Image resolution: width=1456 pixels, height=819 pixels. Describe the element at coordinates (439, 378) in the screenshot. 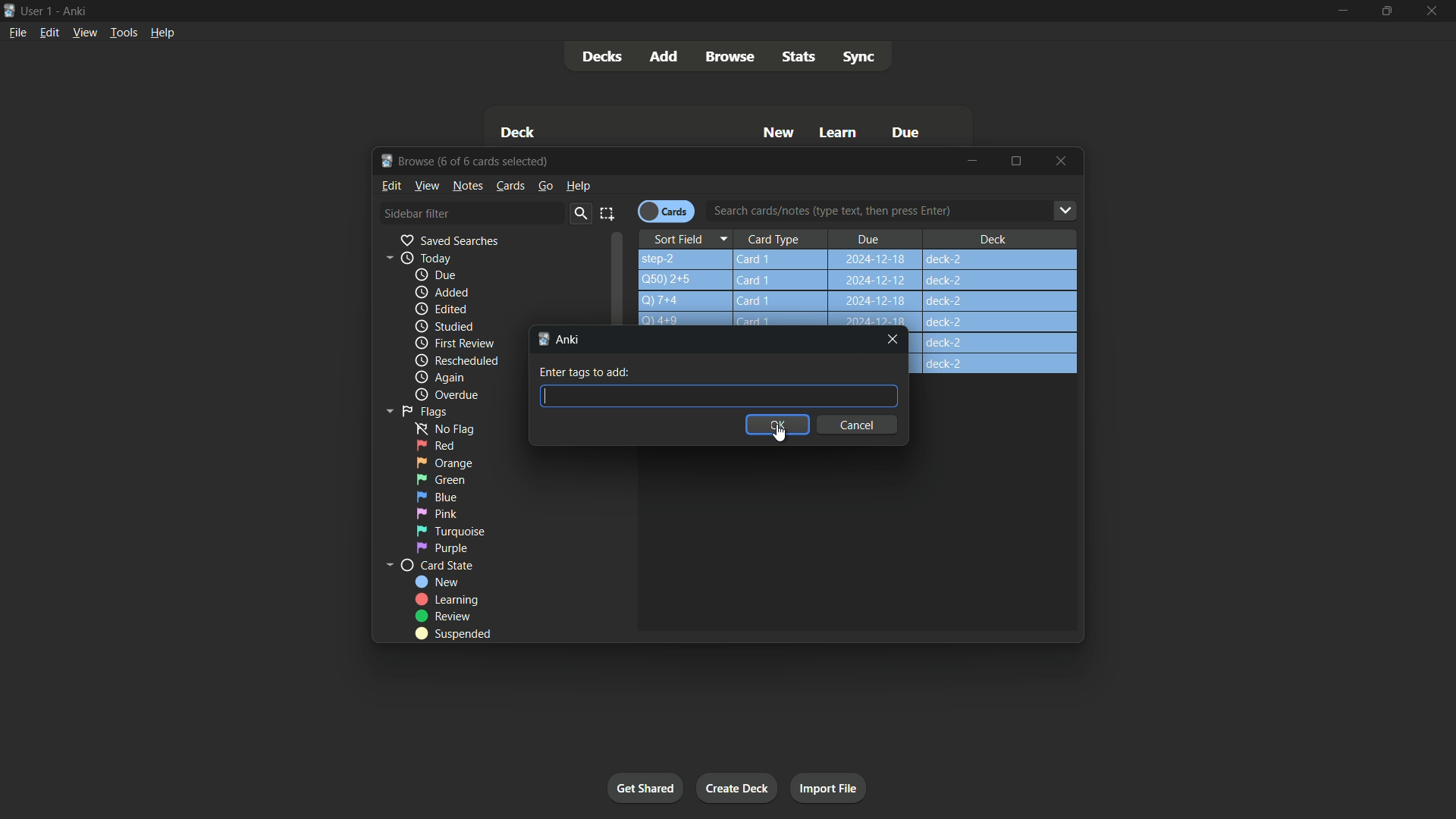

I see `again` at that location.